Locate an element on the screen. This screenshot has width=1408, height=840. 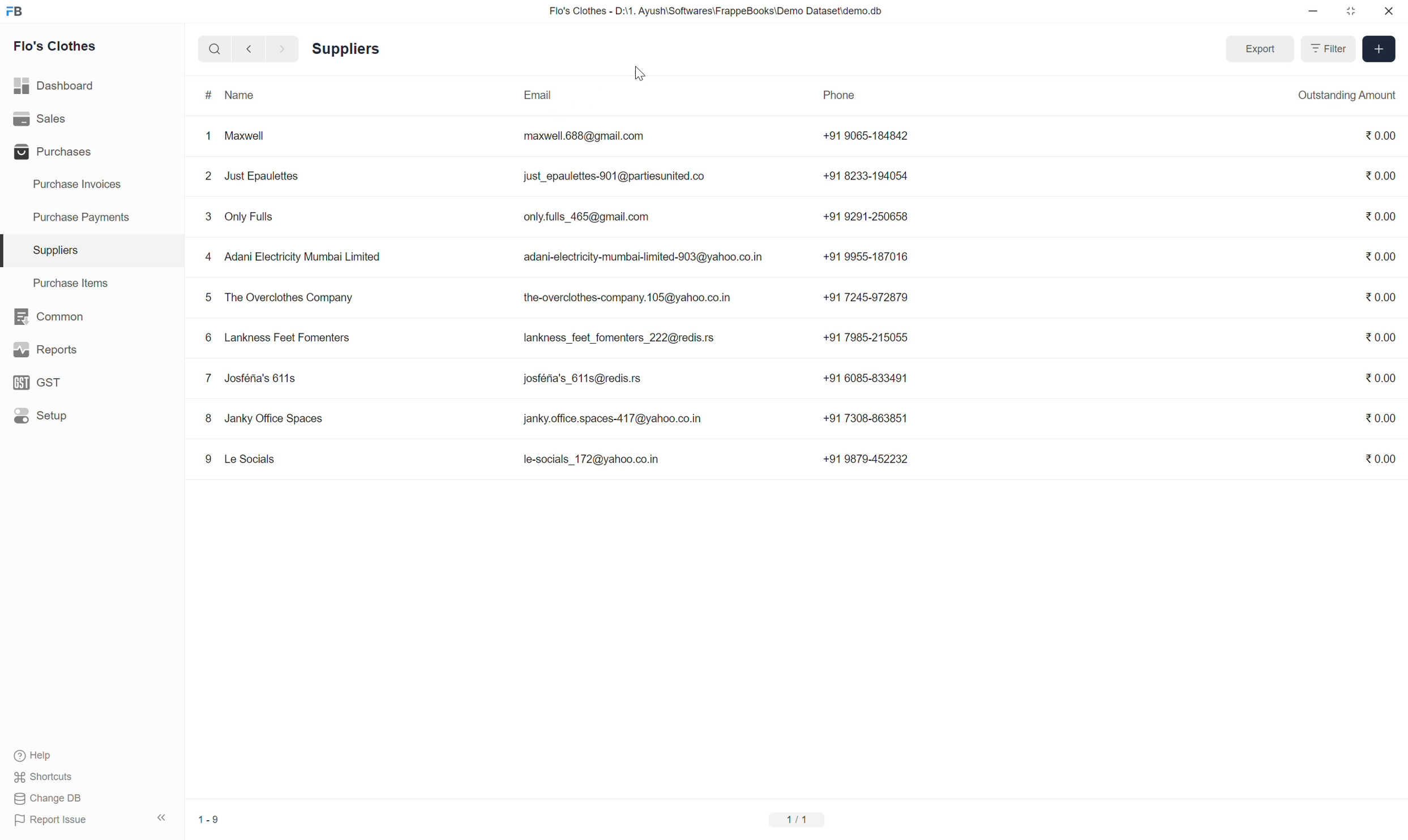
josféna's_611s@redis.rs is located at coordinates (590, 379).